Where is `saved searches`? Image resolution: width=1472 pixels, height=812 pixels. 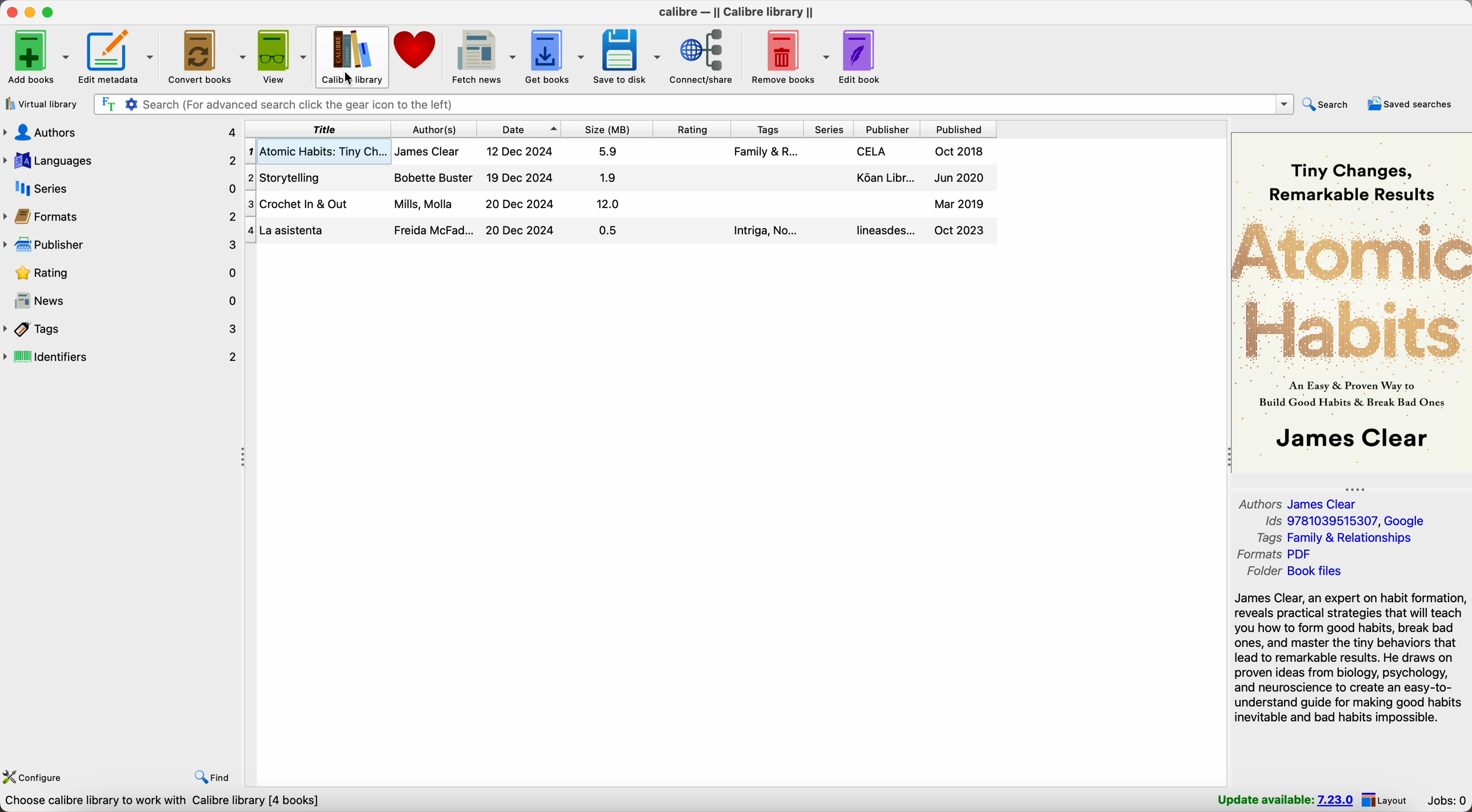 saved searches is located at coordinates (1410, 105).